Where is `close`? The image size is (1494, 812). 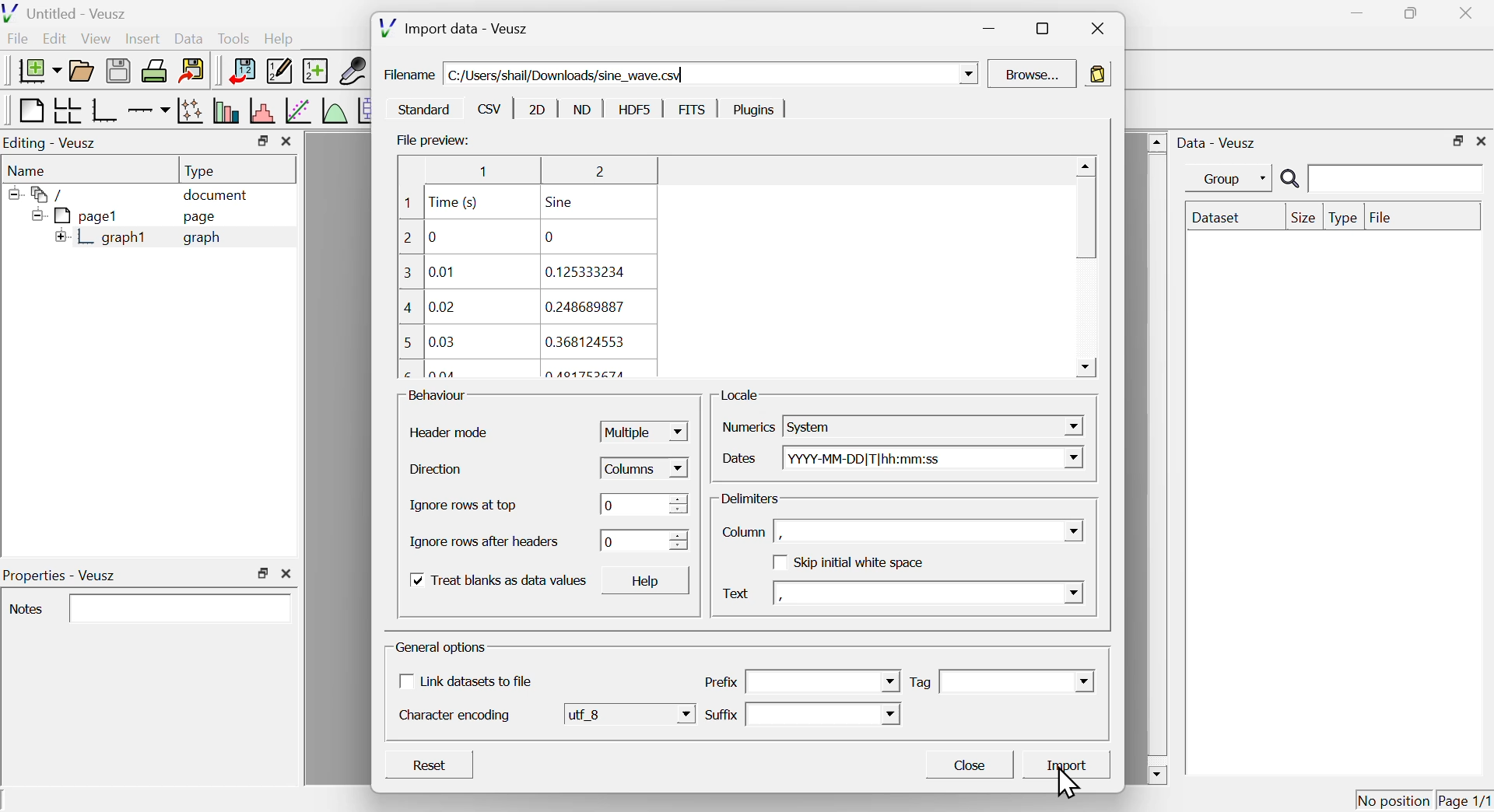
close is located at coordinates (1469, 12).